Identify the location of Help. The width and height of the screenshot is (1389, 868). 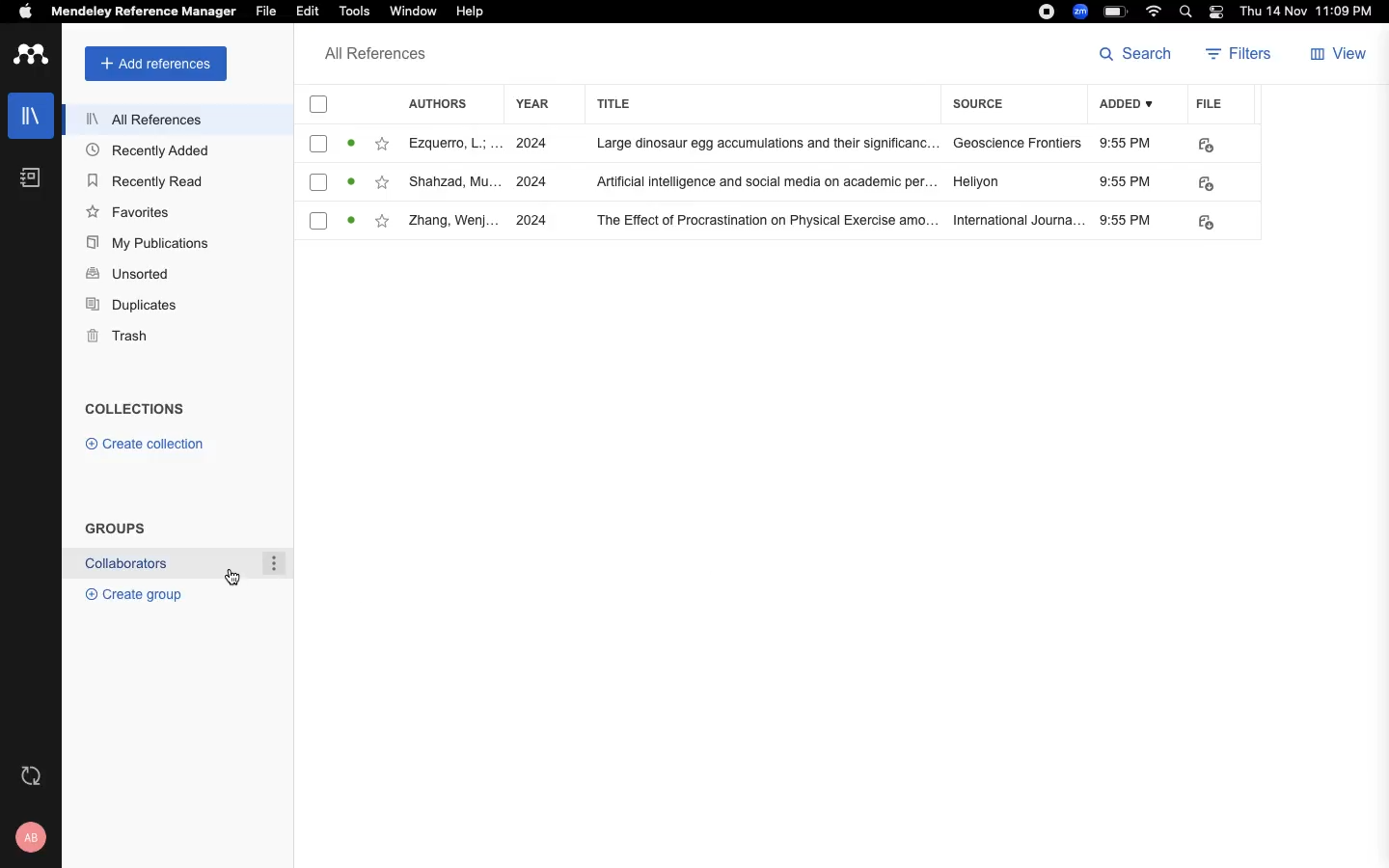
(468, 13).